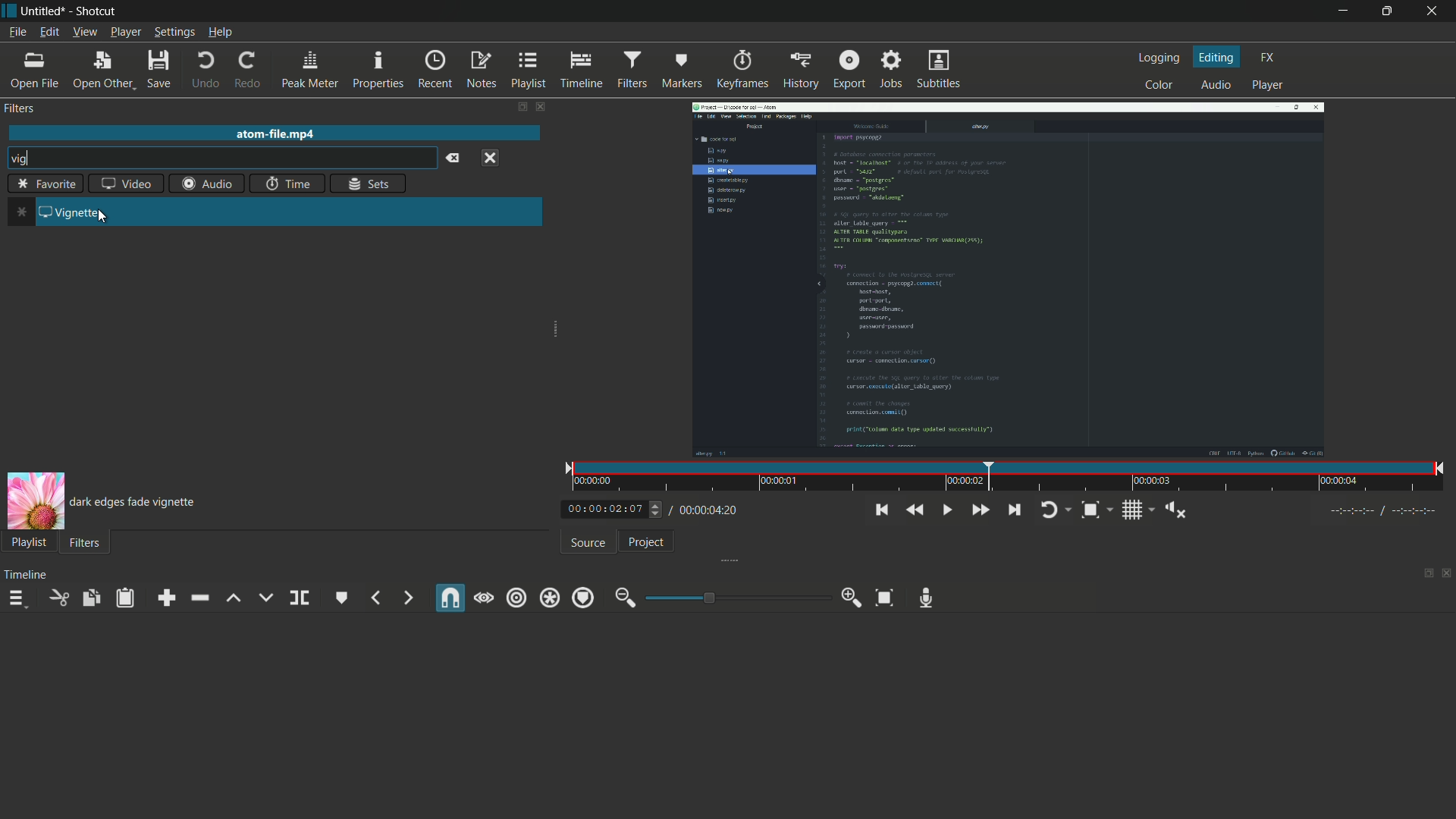 This screenshot has width=1456, height=819. Describe the element at coordinates (16, 598) in the screenshot. I see `timeline menu` at that location.